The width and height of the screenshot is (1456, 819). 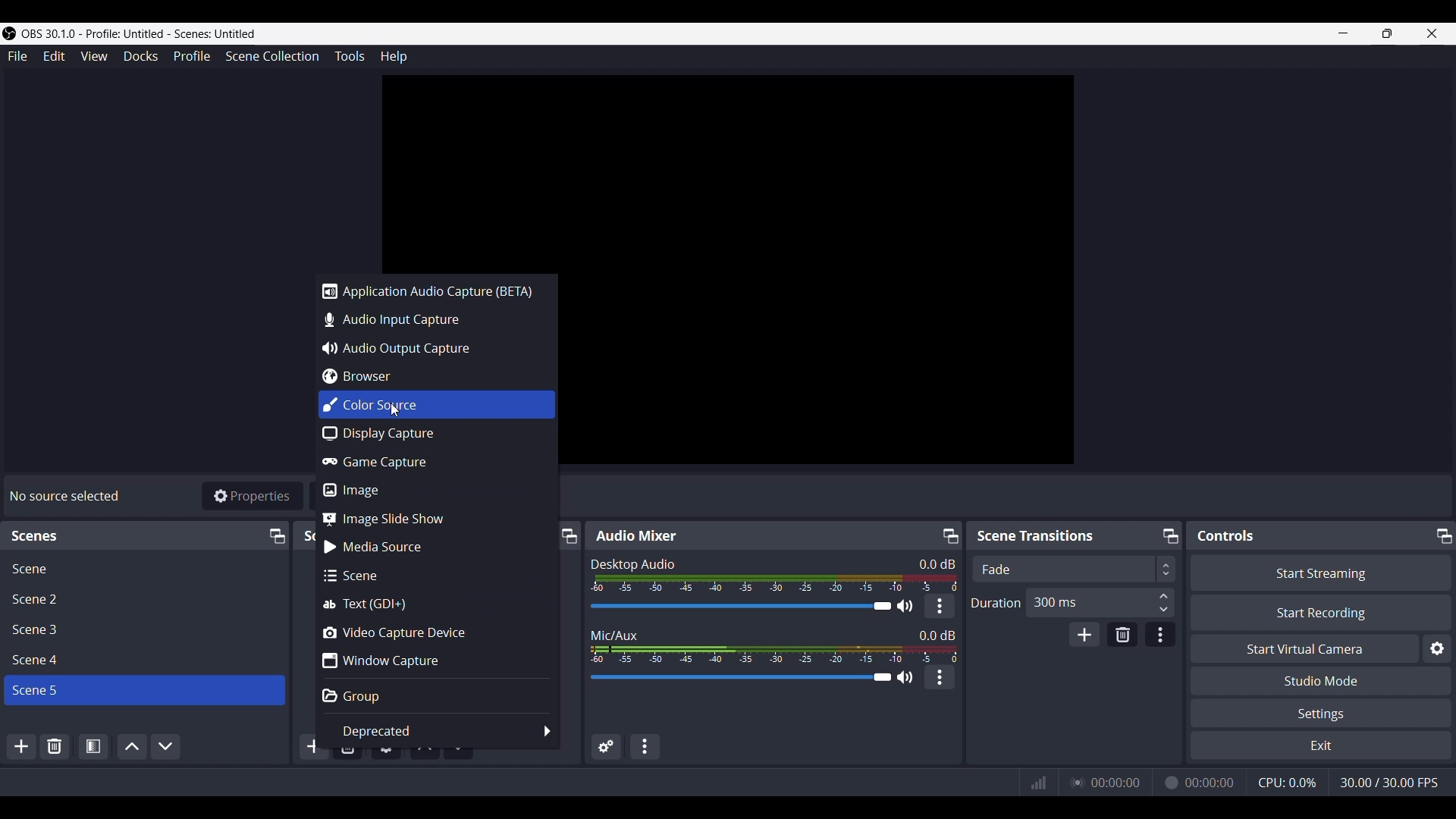 I want to click on Audio Mixer Menu, so click(x=645, y=746).